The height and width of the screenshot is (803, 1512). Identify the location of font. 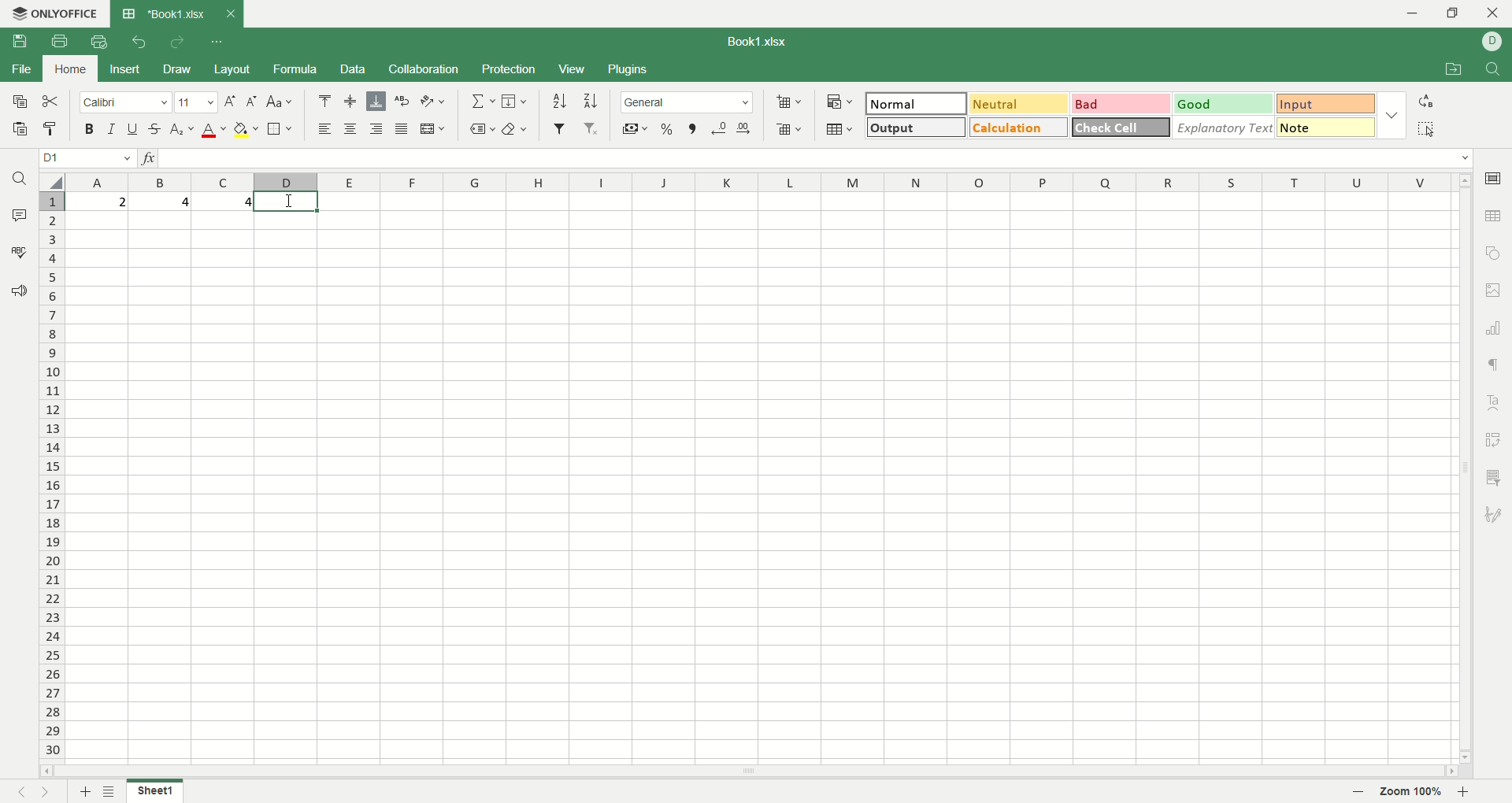
(124, 103).